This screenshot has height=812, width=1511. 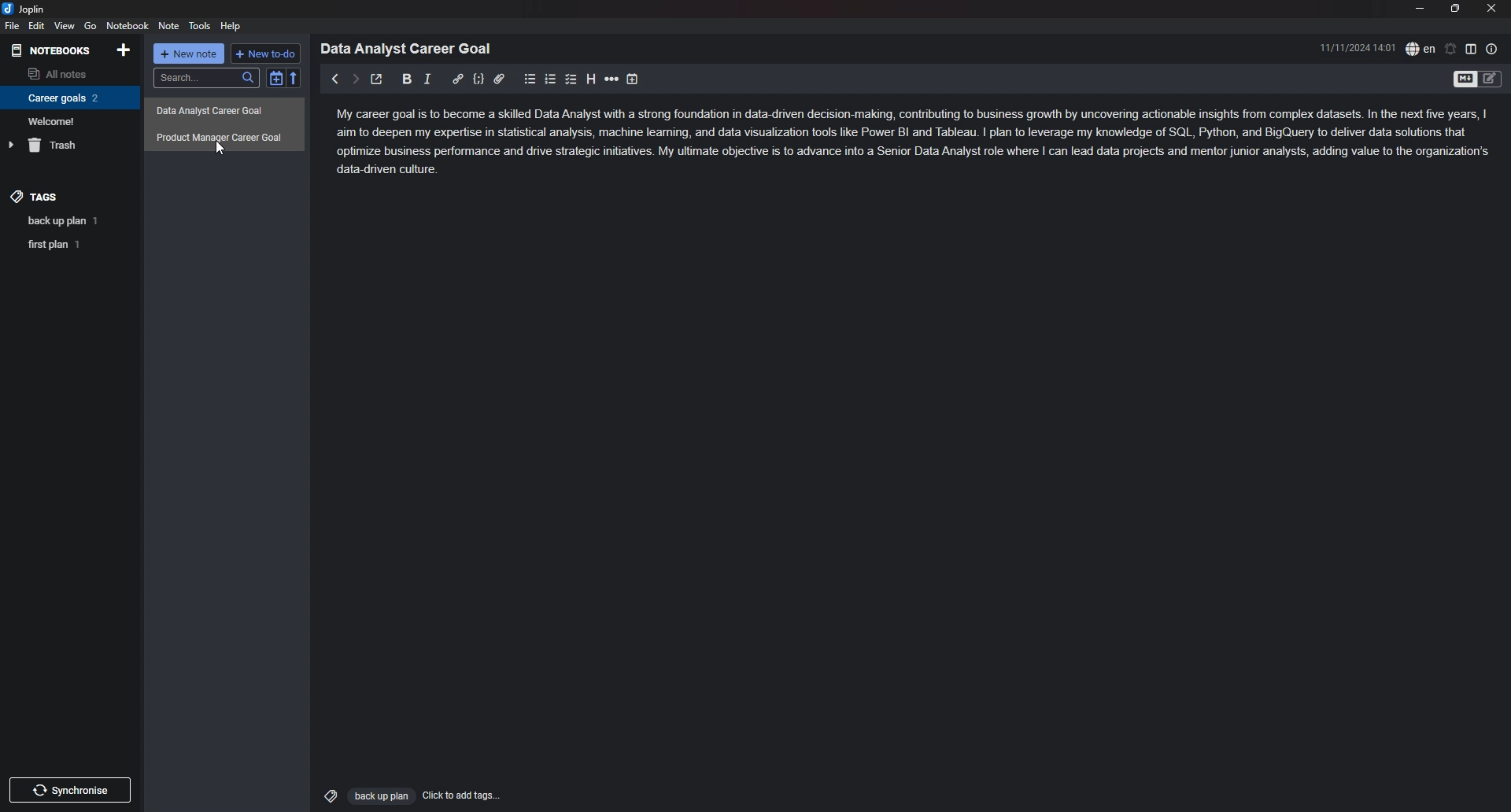 What do you see at coordinates (427, 79) in the screenshot?
I see `italic` at bounding box center [427, 79].